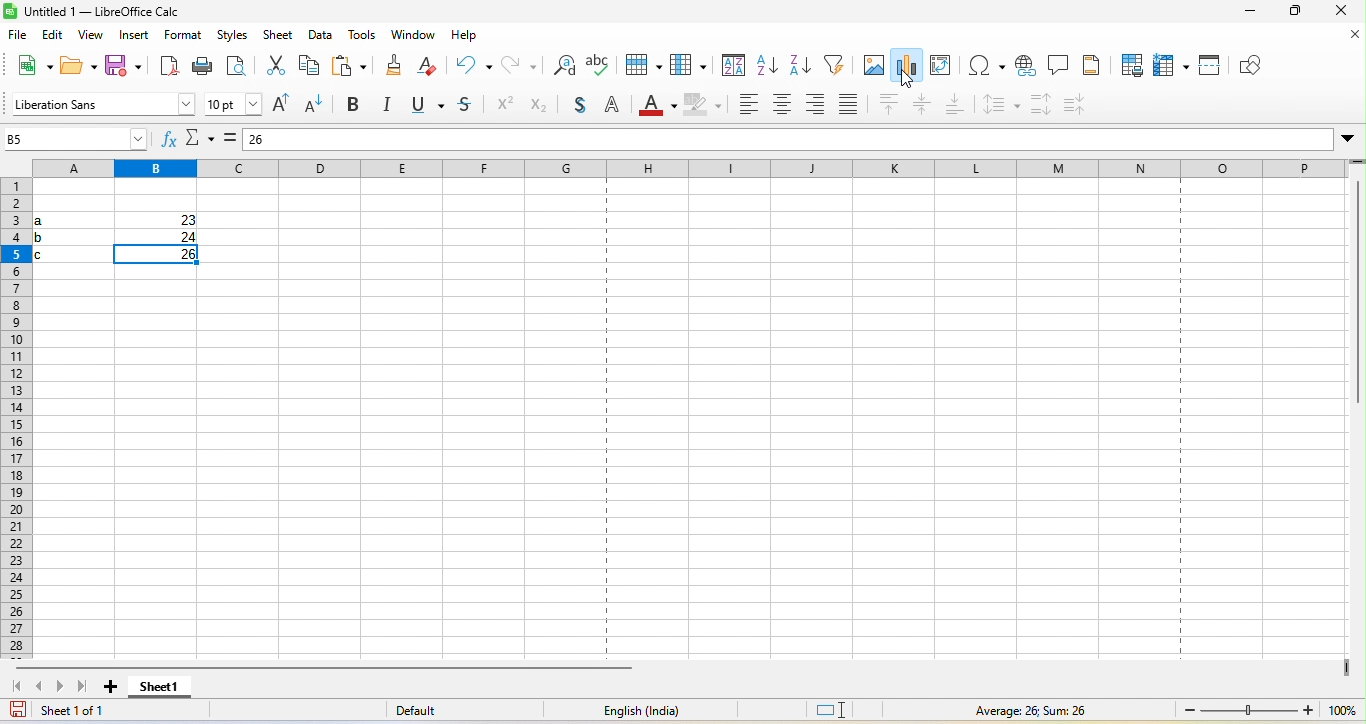 The image size is (1366, 724). Describe the element at coordinates (75, 140) in the screenshot. I see `name box` at that location.